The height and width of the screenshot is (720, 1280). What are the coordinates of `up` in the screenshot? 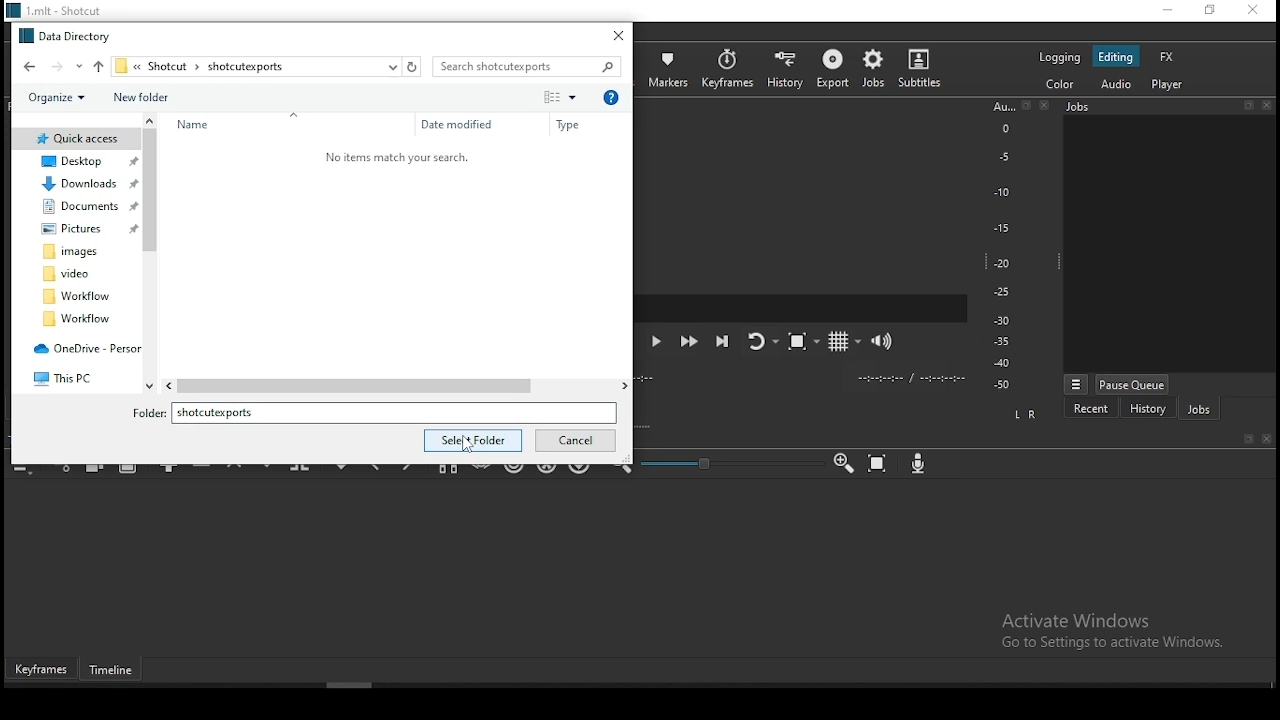 It's located at (98, 65).